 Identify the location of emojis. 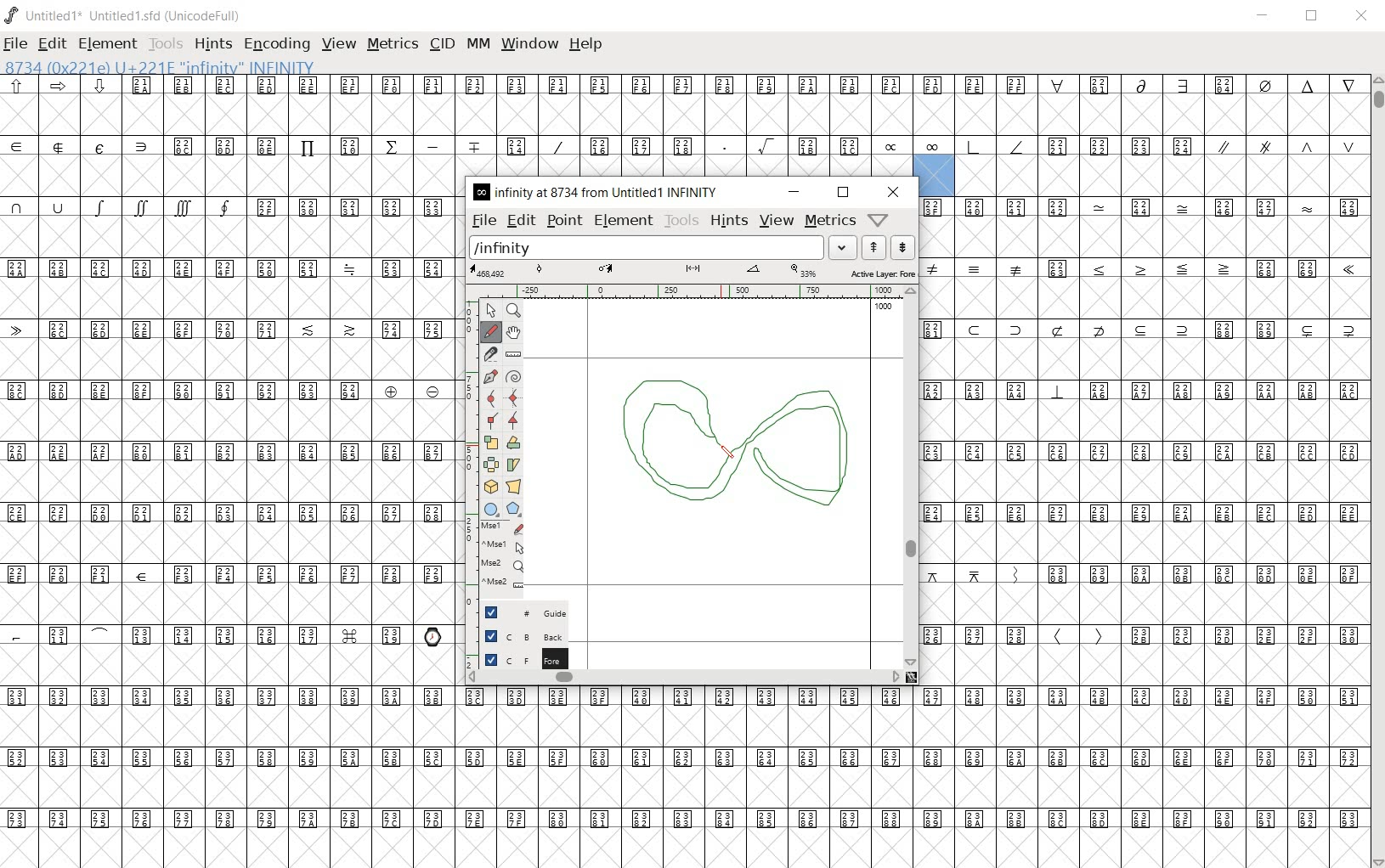
(436, 634).